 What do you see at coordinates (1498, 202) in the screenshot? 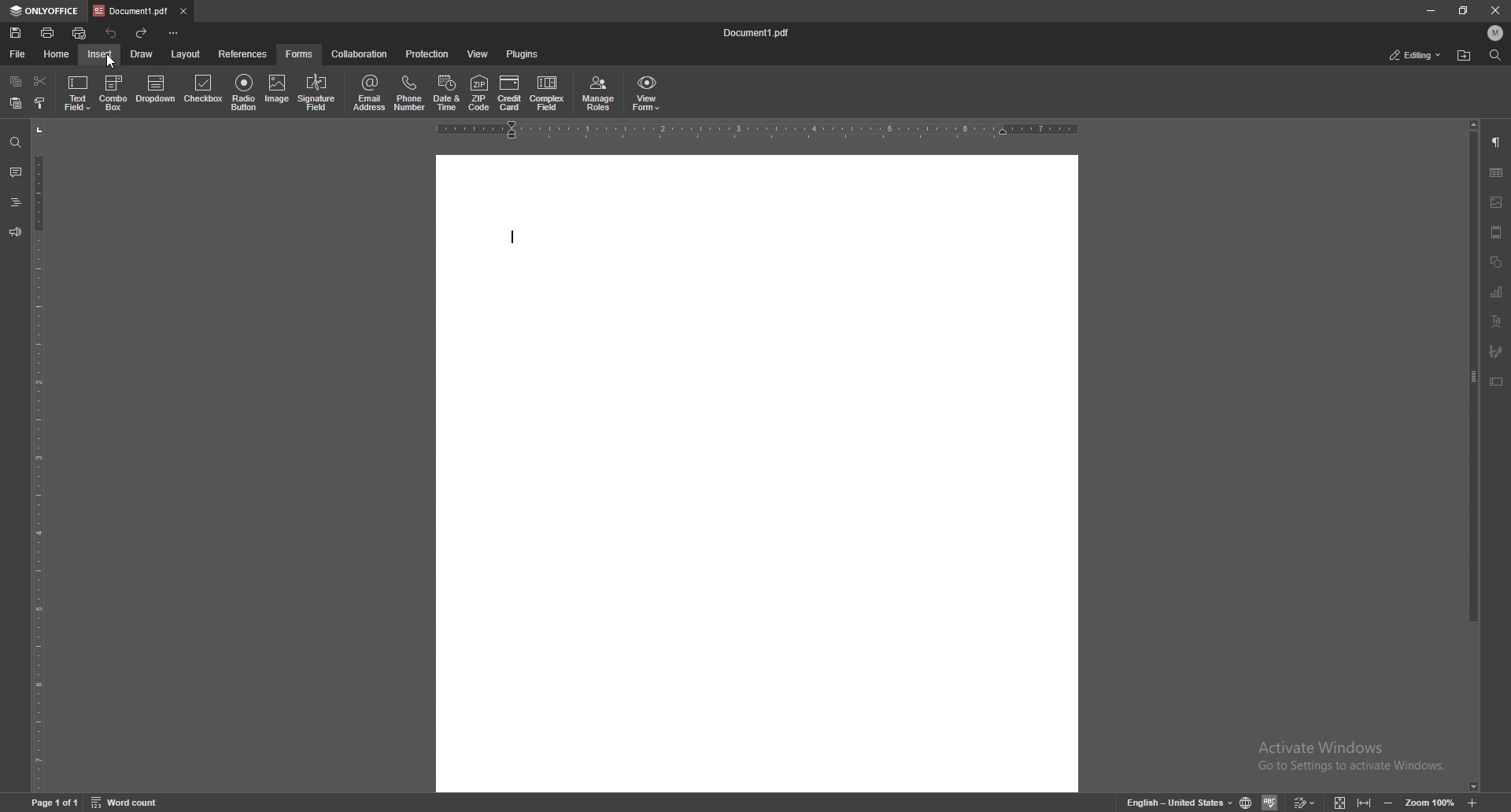
I see `image` at bounding box center [1498, 202].